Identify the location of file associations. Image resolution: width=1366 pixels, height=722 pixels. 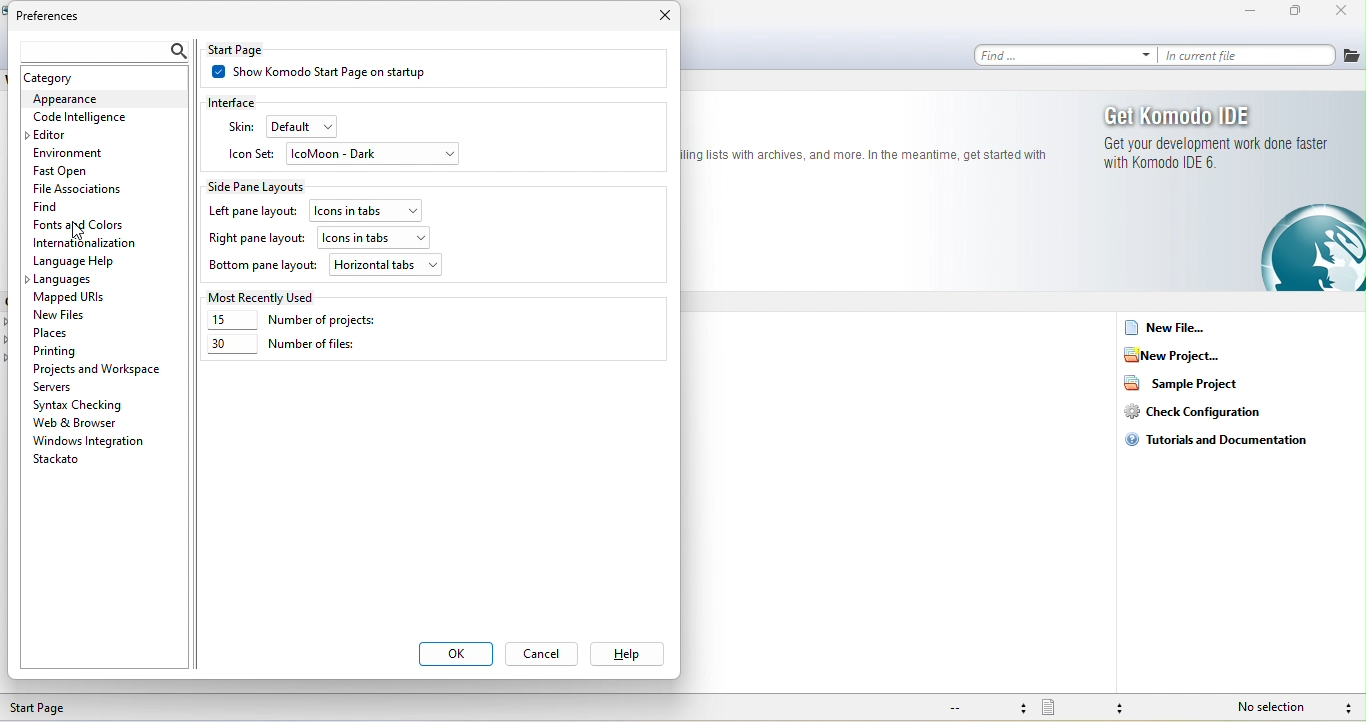
(80, 190).